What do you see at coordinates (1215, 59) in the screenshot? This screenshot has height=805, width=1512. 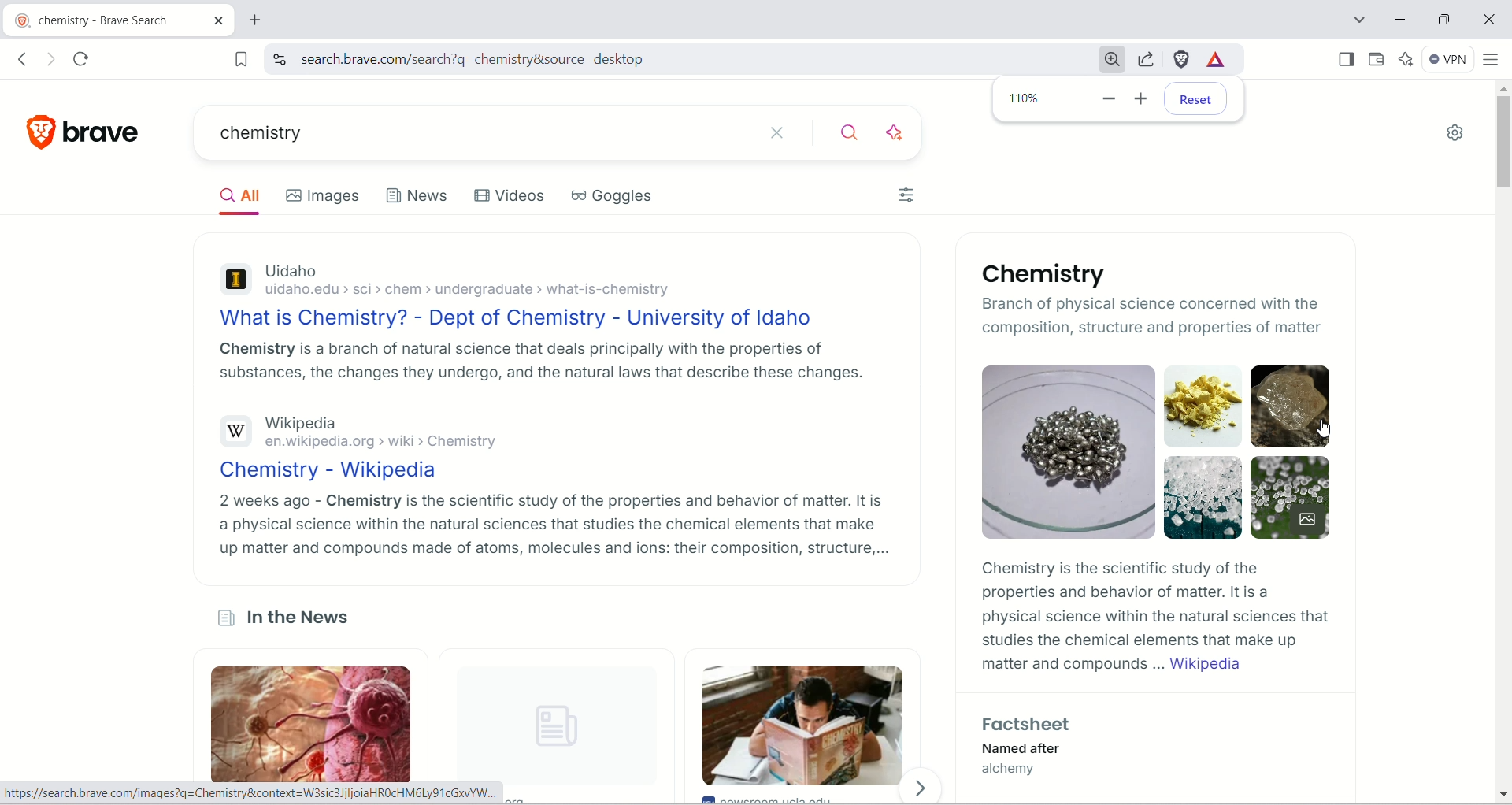 I see `rewards` at bounding box center [1215, 59].